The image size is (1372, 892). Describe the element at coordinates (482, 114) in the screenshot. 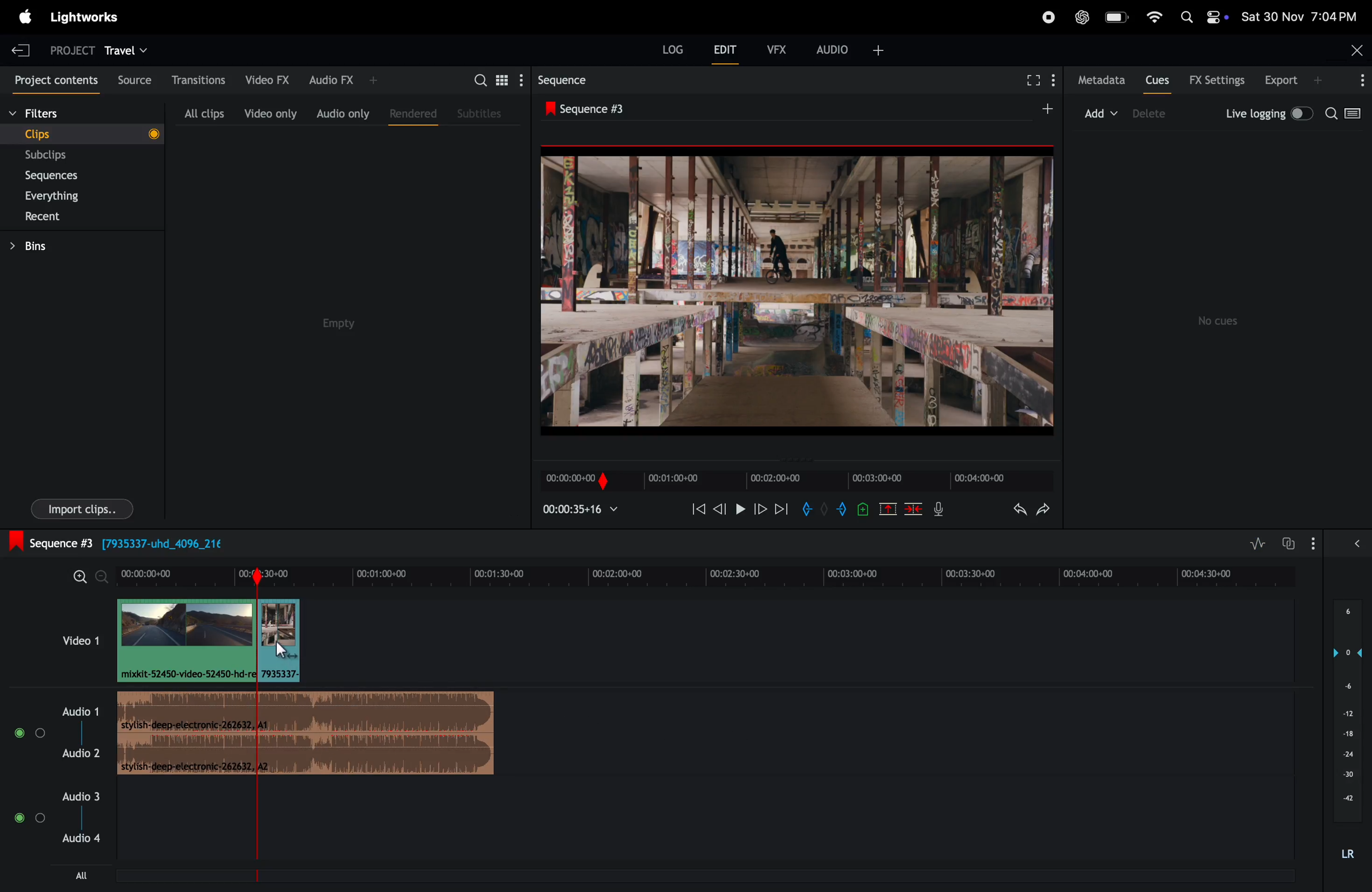

I see `subtitles` at that location.